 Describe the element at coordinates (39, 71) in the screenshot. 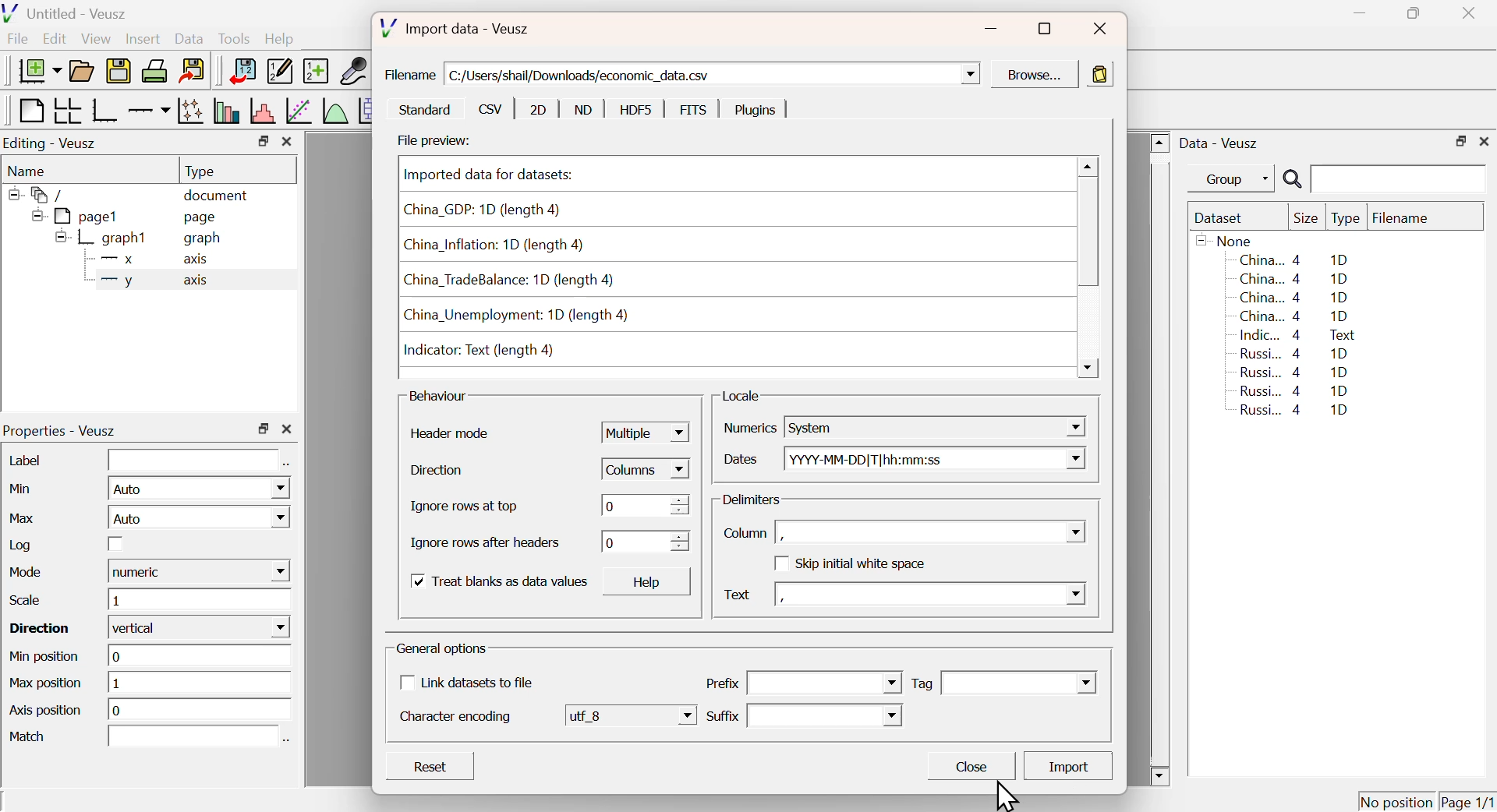

I see `New Document` at that location.